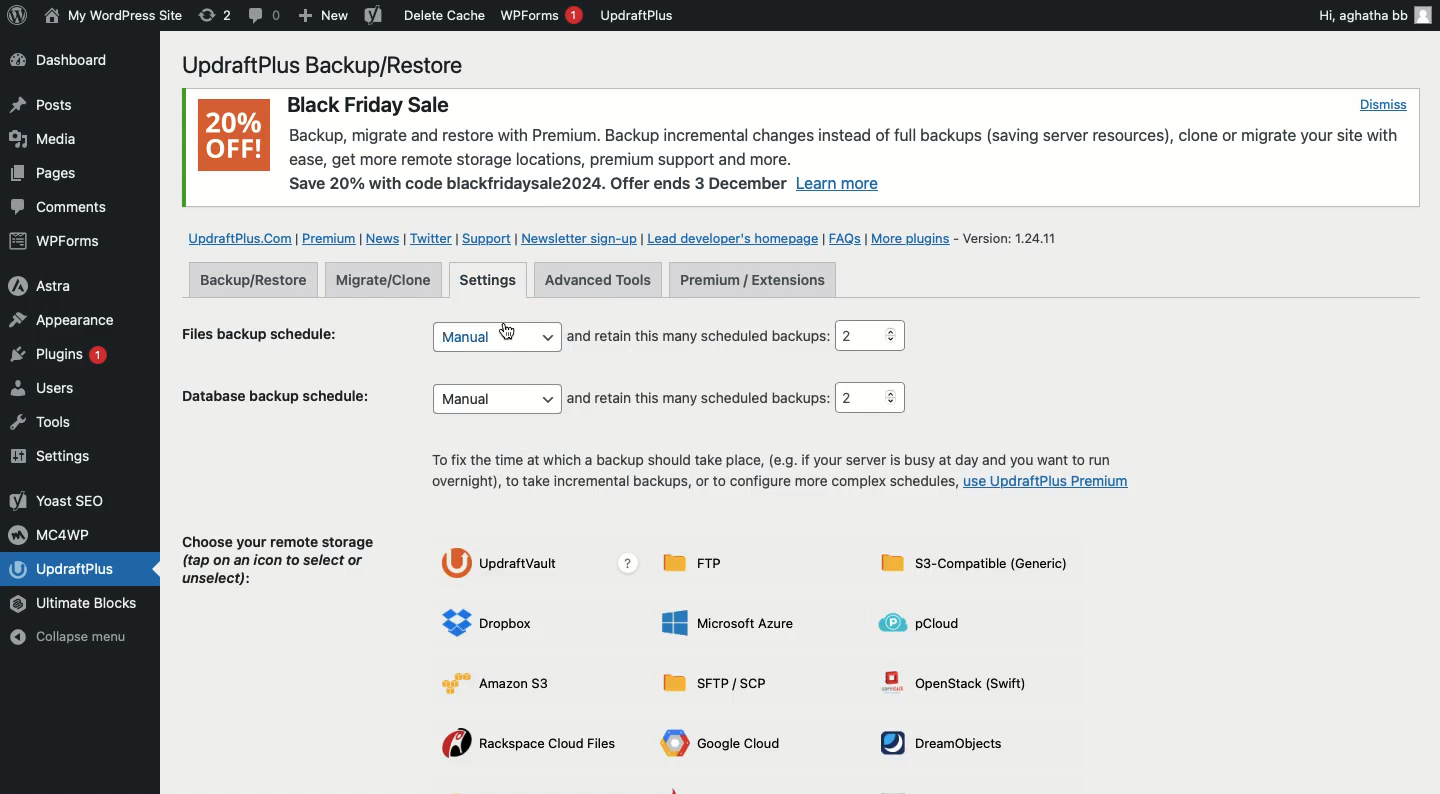 This screenshot has width=1440, height=794. What do you see at coordinates (495, 336) in the screenshot?
I see `Manual` at bounding box center [495, 336].